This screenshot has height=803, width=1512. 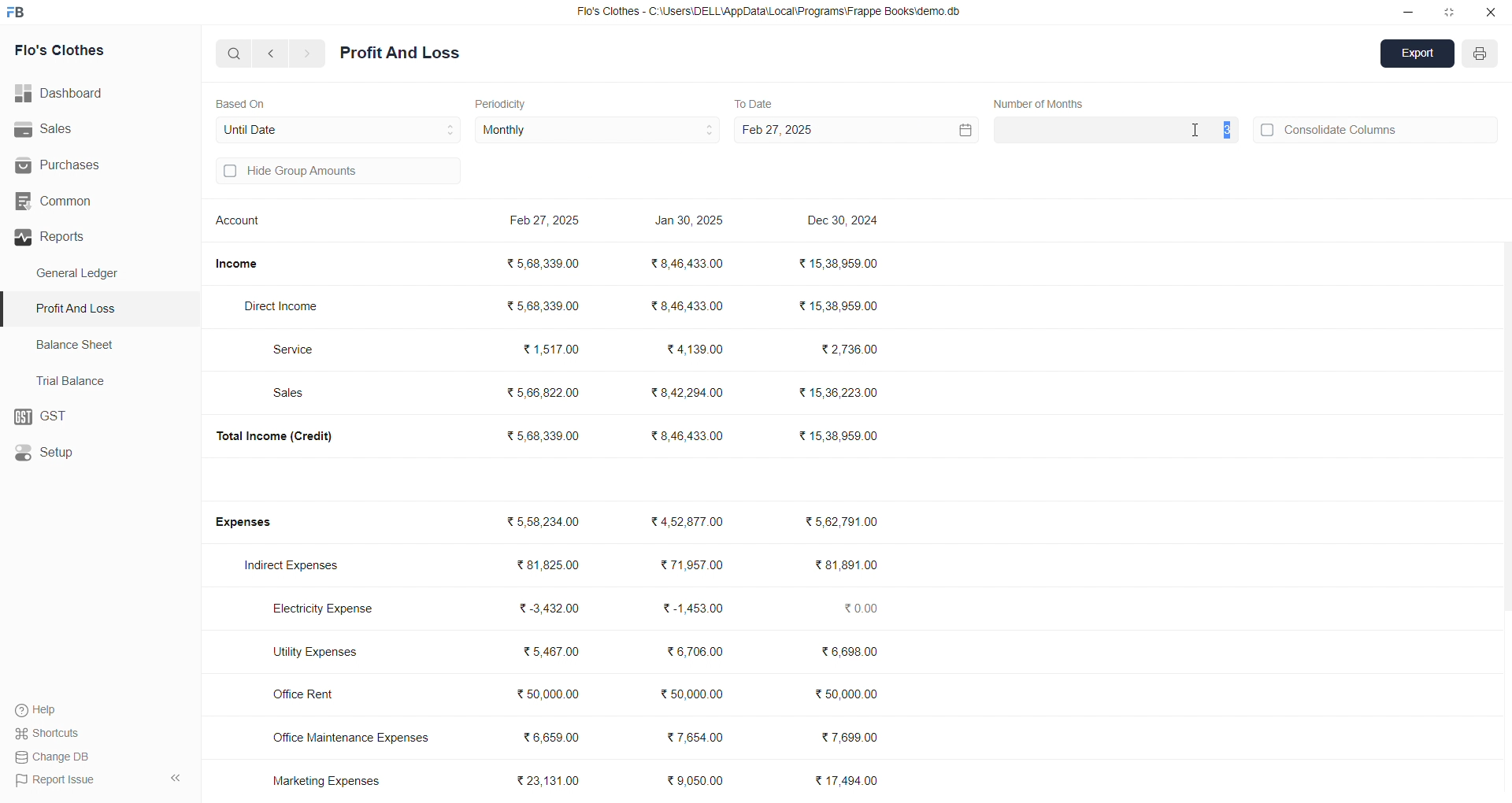 I want to click on ₹3,432.00, so click(x=551, y=609).